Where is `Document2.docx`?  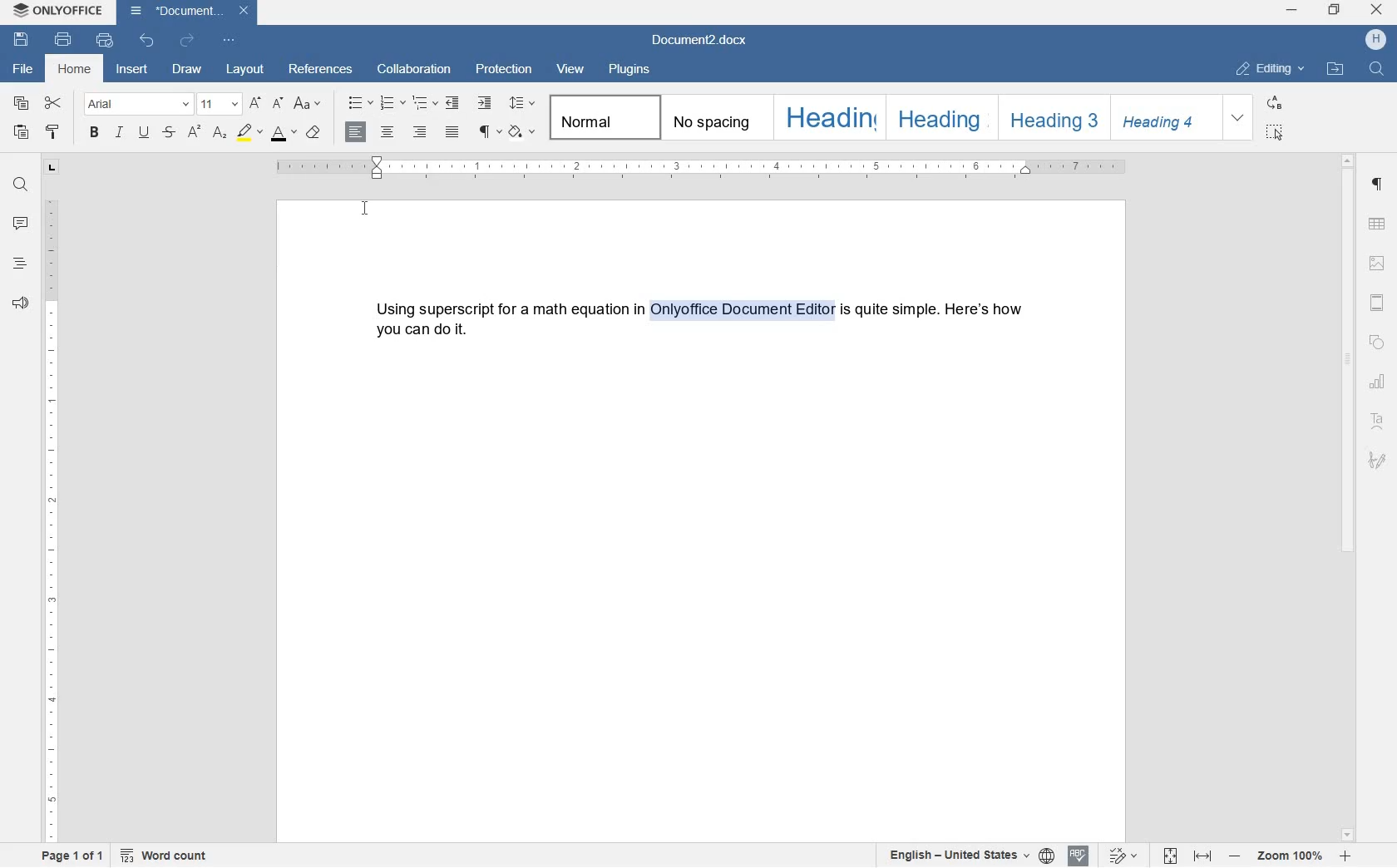 Document2.docx is located at coordinates (190, 12).